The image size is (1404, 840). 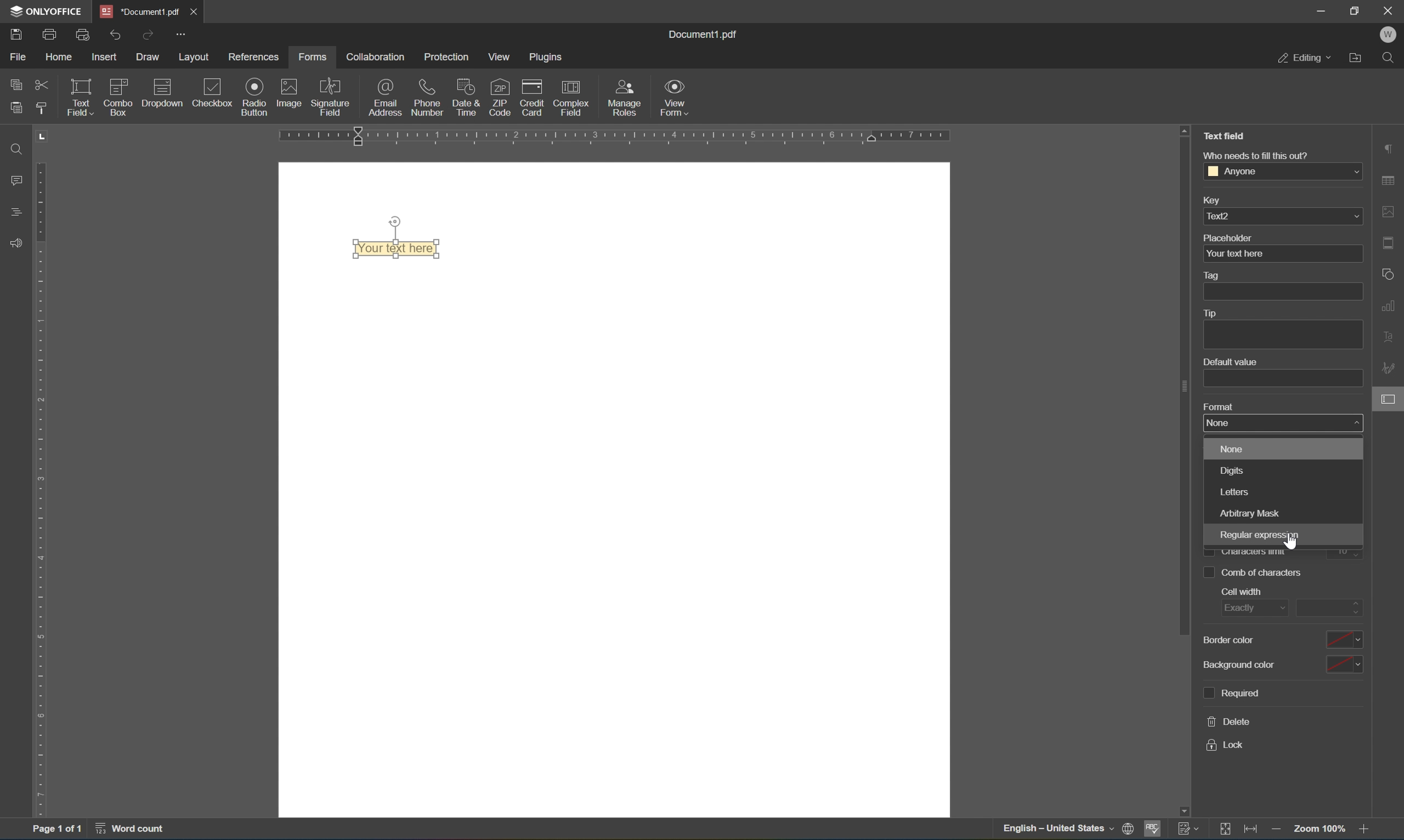 What do you see at coordinates (1223, 744) in the screenshot?
I see `lock` at bounding box center [1223, 744].